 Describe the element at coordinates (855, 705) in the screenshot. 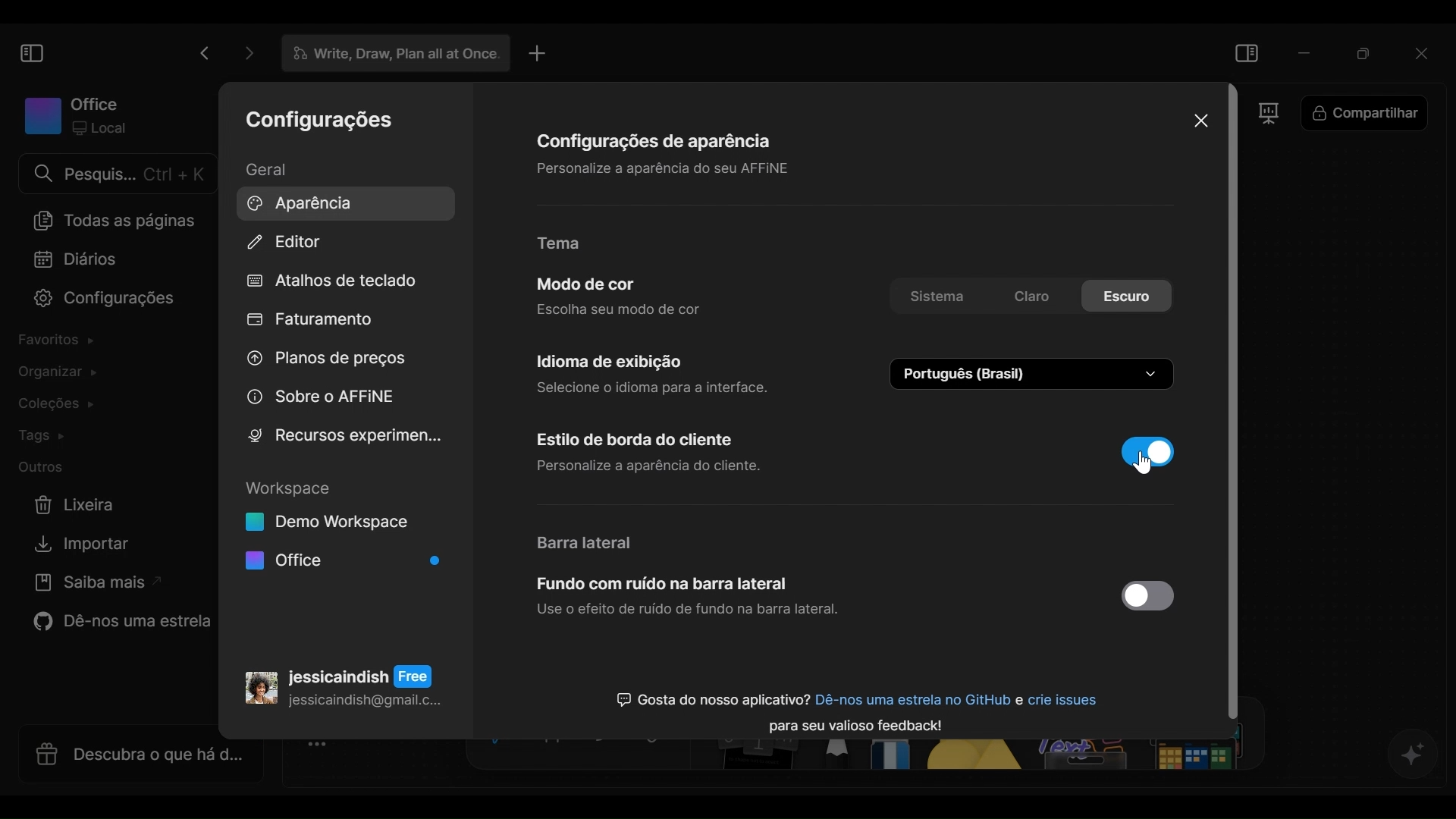

I see `text` at that location.